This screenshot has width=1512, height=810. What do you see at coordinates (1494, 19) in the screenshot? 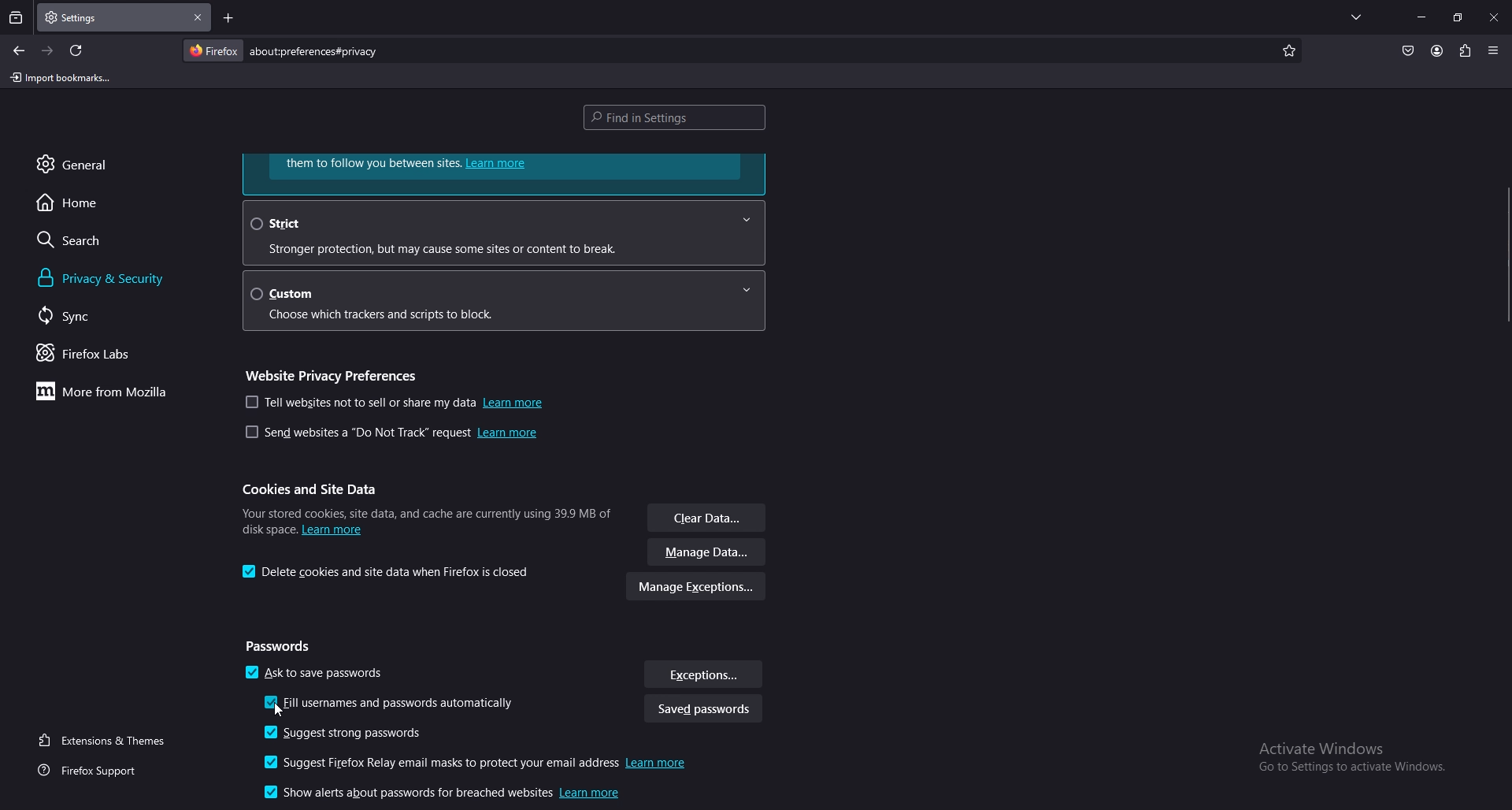
I see `close` at bounding box center [1494, 19].